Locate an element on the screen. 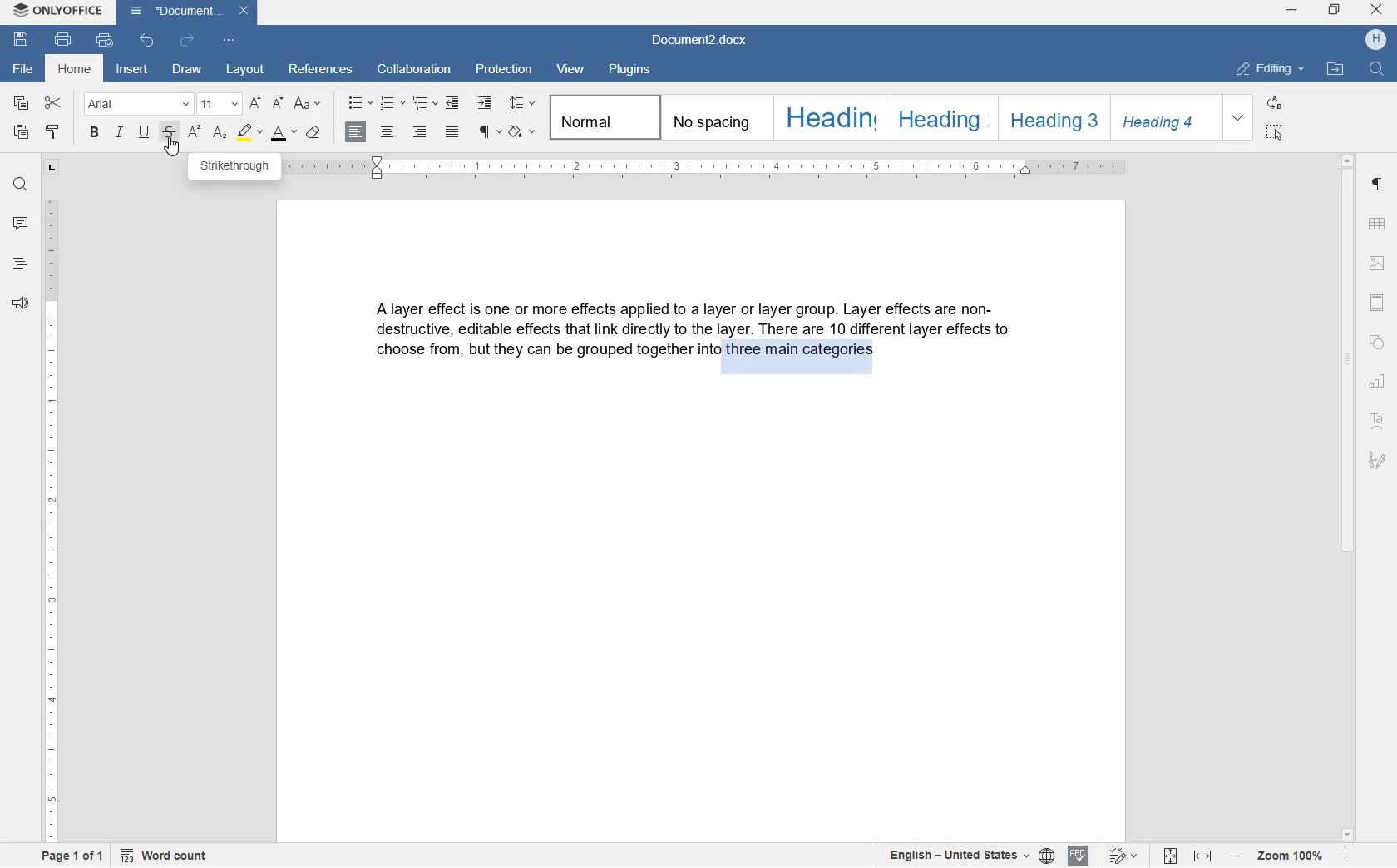 The height and width of the screenshot is (868, 1397). protection is located at coordinates (506, 71).